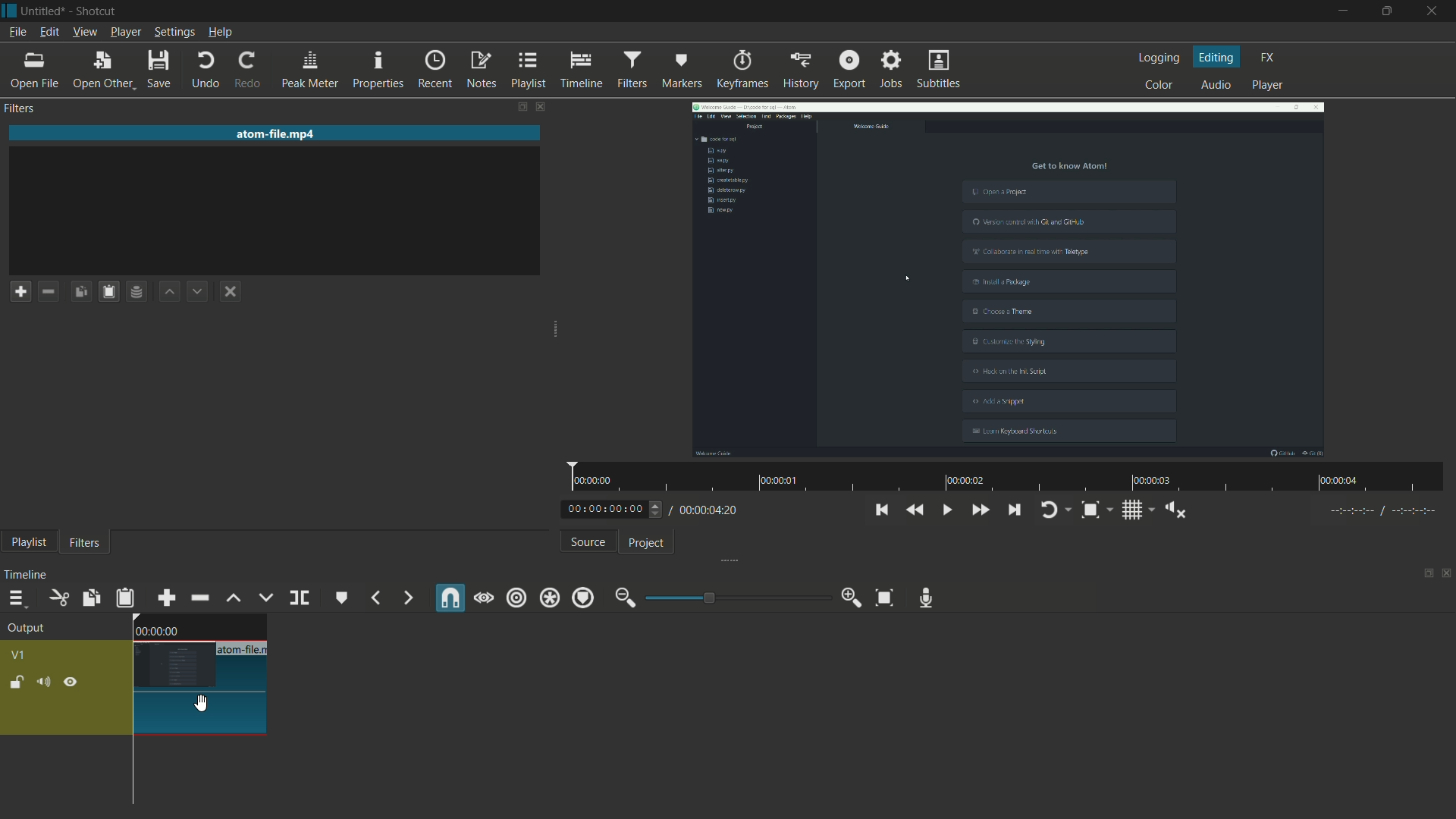 This screenshot has width=1456, height=819. What do you see at coordinates (57, 598) in the screenshot?
I see `cut` at bounding box center [57, 598].